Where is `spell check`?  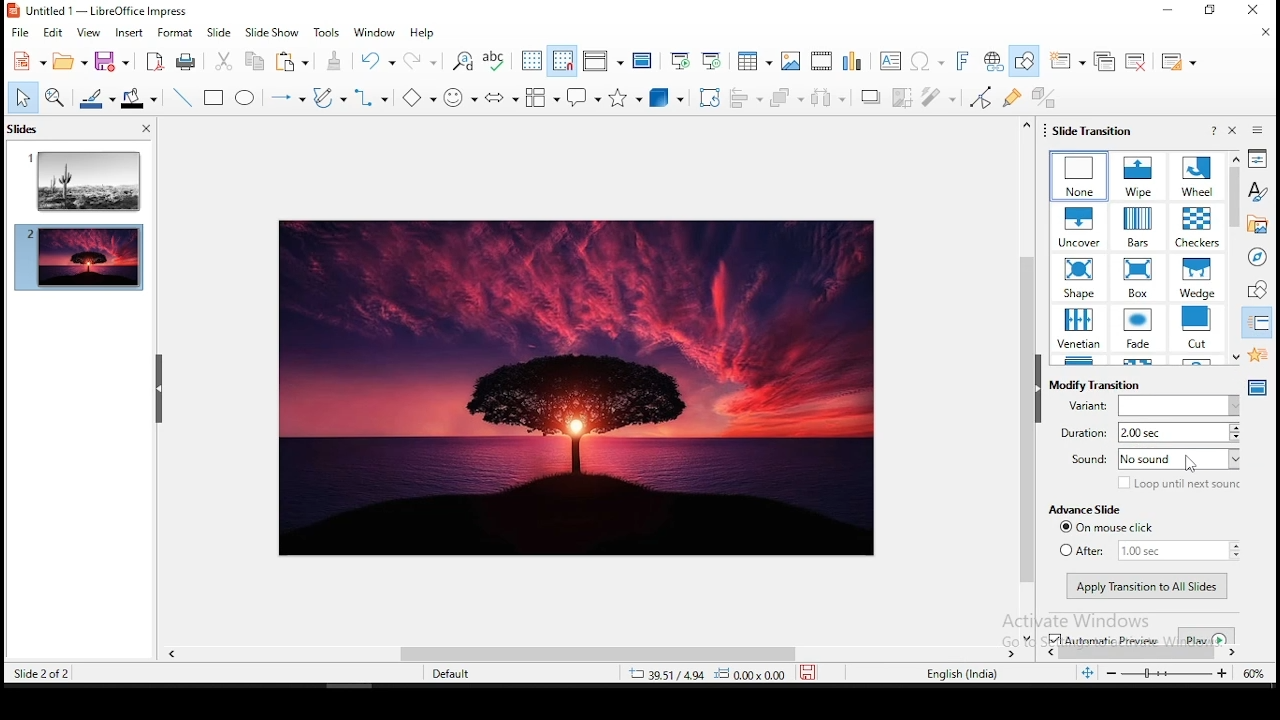
spell check is located at coordinates (498, 62).